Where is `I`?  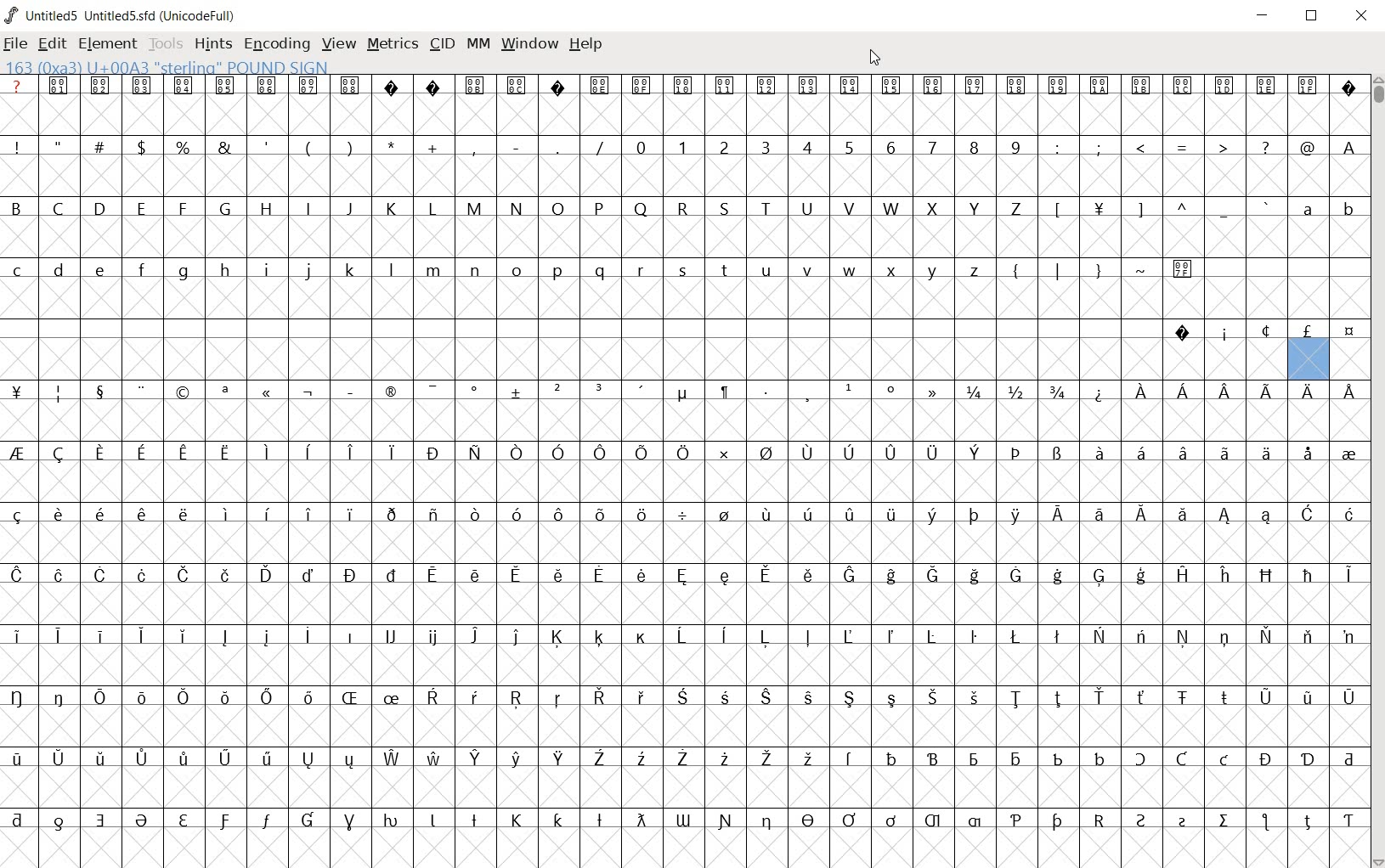 I is located at coordinates (308, 209).